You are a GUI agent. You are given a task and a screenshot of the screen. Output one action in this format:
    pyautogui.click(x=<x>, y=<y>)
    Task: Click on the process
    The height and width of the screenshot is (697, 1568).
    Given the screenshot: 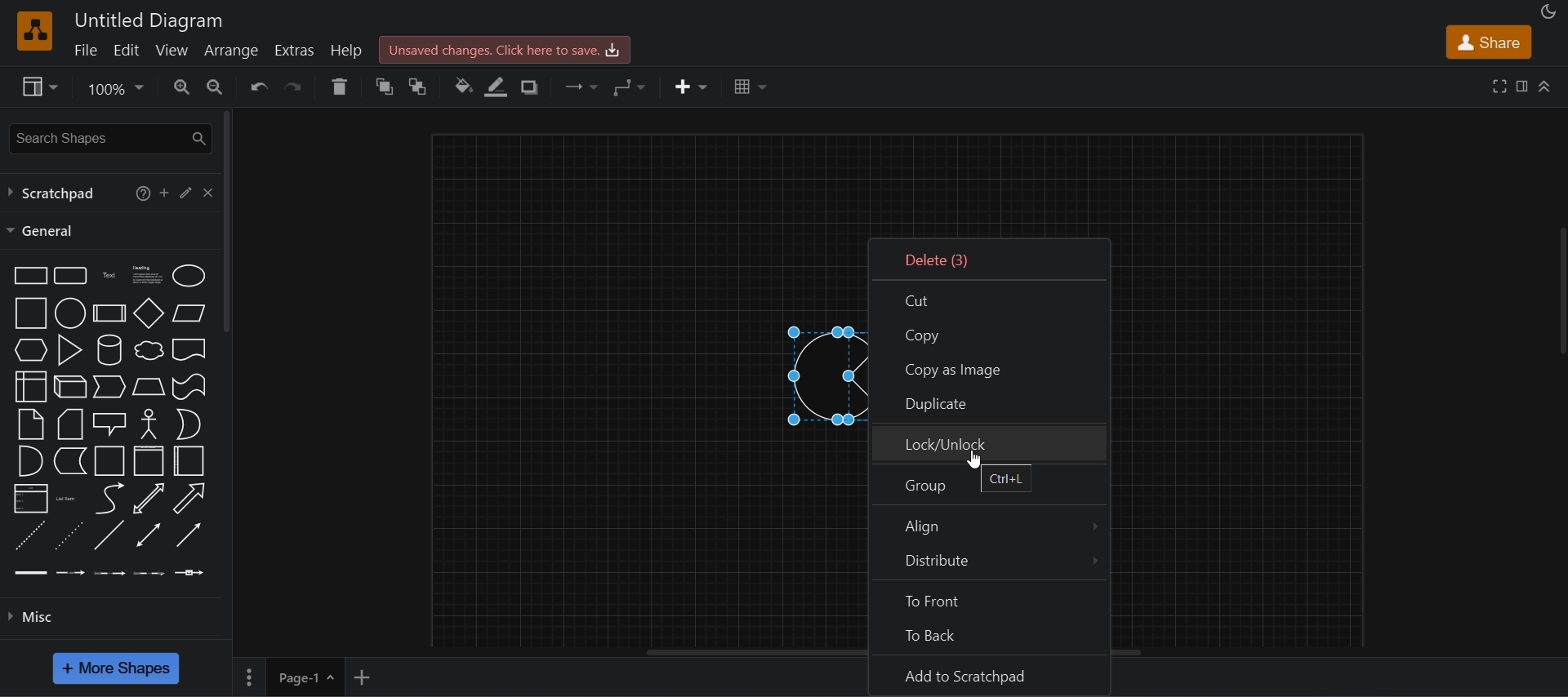 What is the action you would take?
    pyautogui.click(x=109, y=313)
    